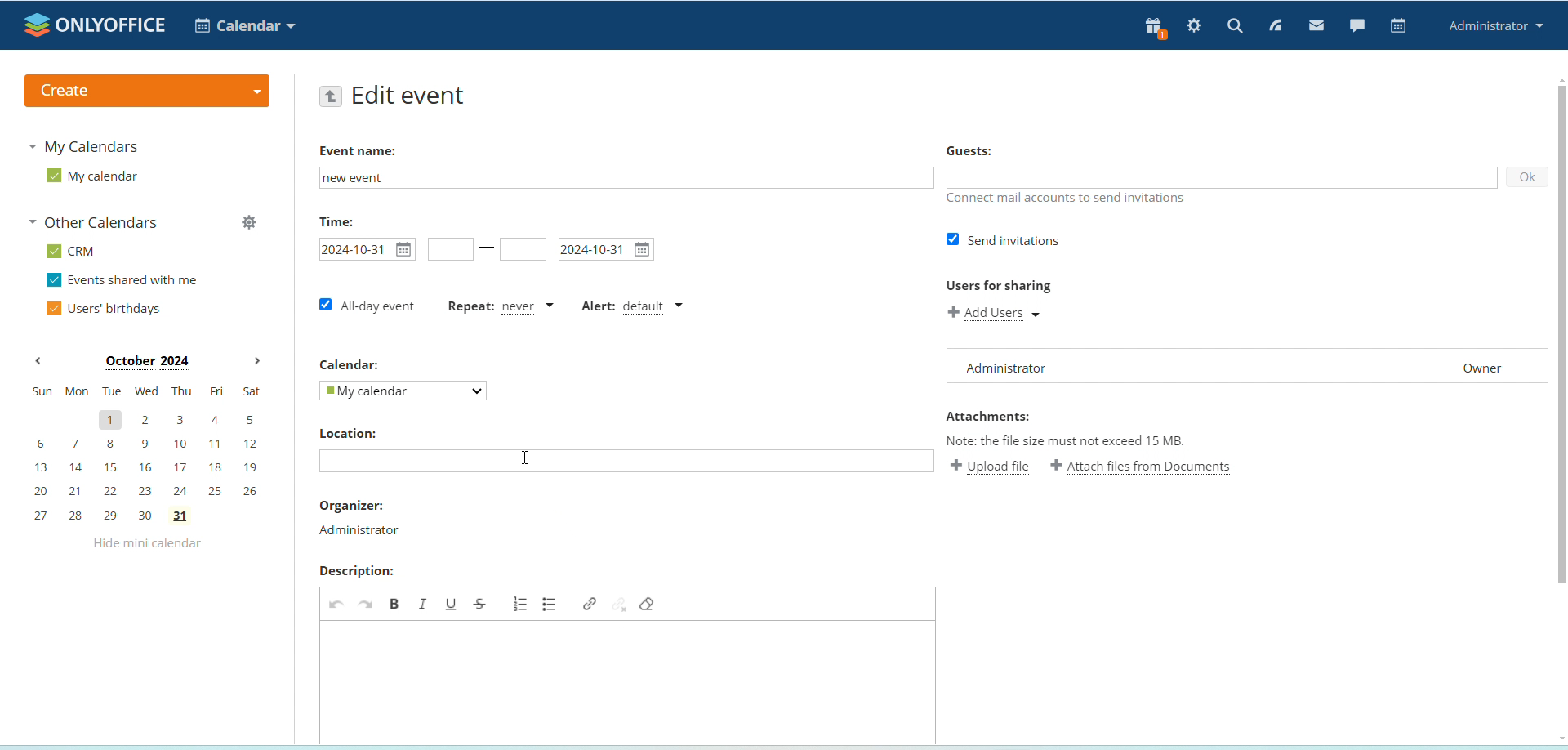  What do you see at coordinates (620, 603) in the screenshot?
I see `unlink` at bounding box center [620, 603].